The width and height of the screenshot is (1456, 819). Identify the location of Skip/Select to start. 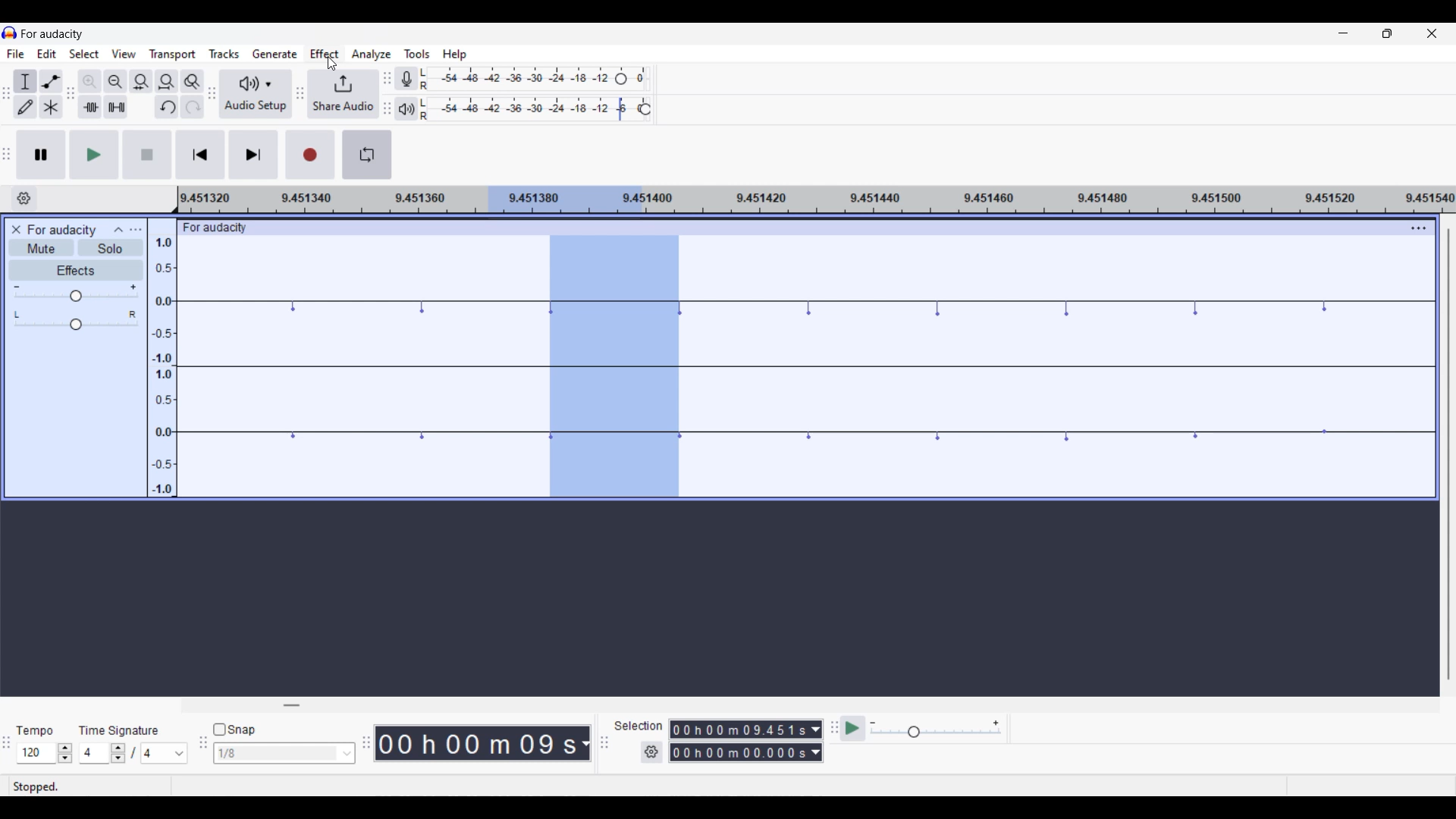
(200, 155).